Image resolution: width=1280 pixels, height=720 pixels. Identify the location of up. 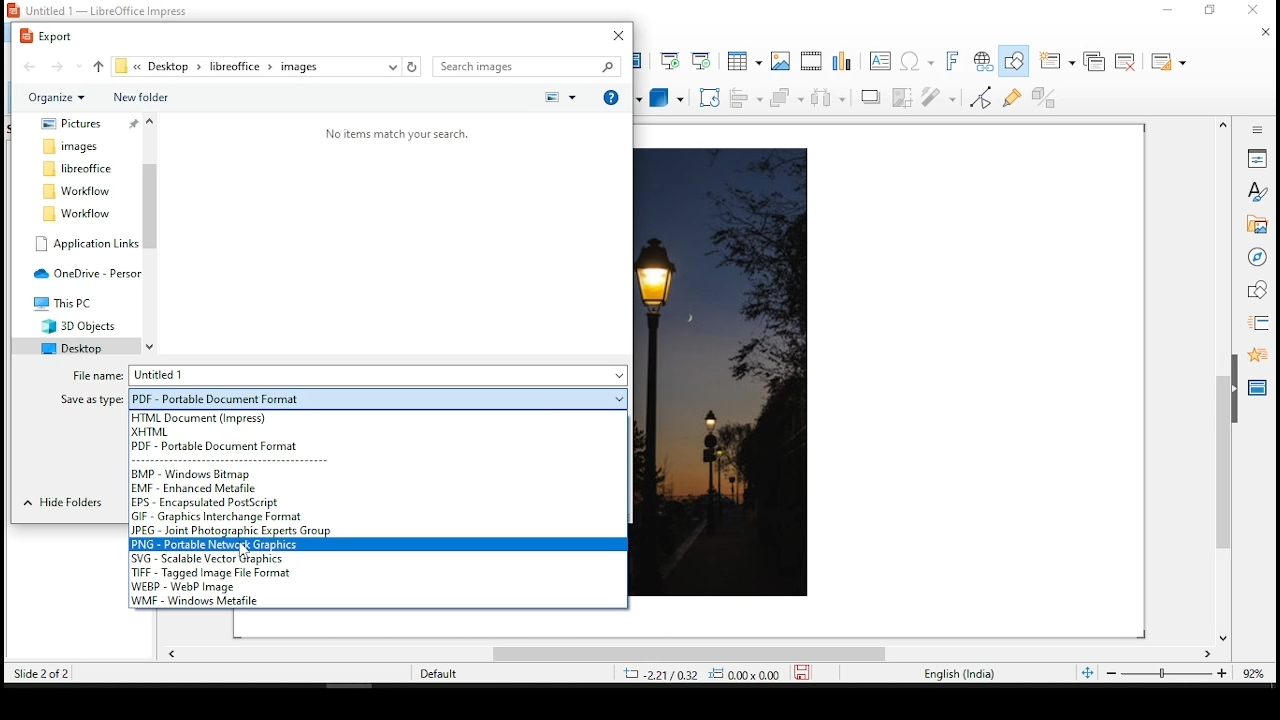
(100, 65).